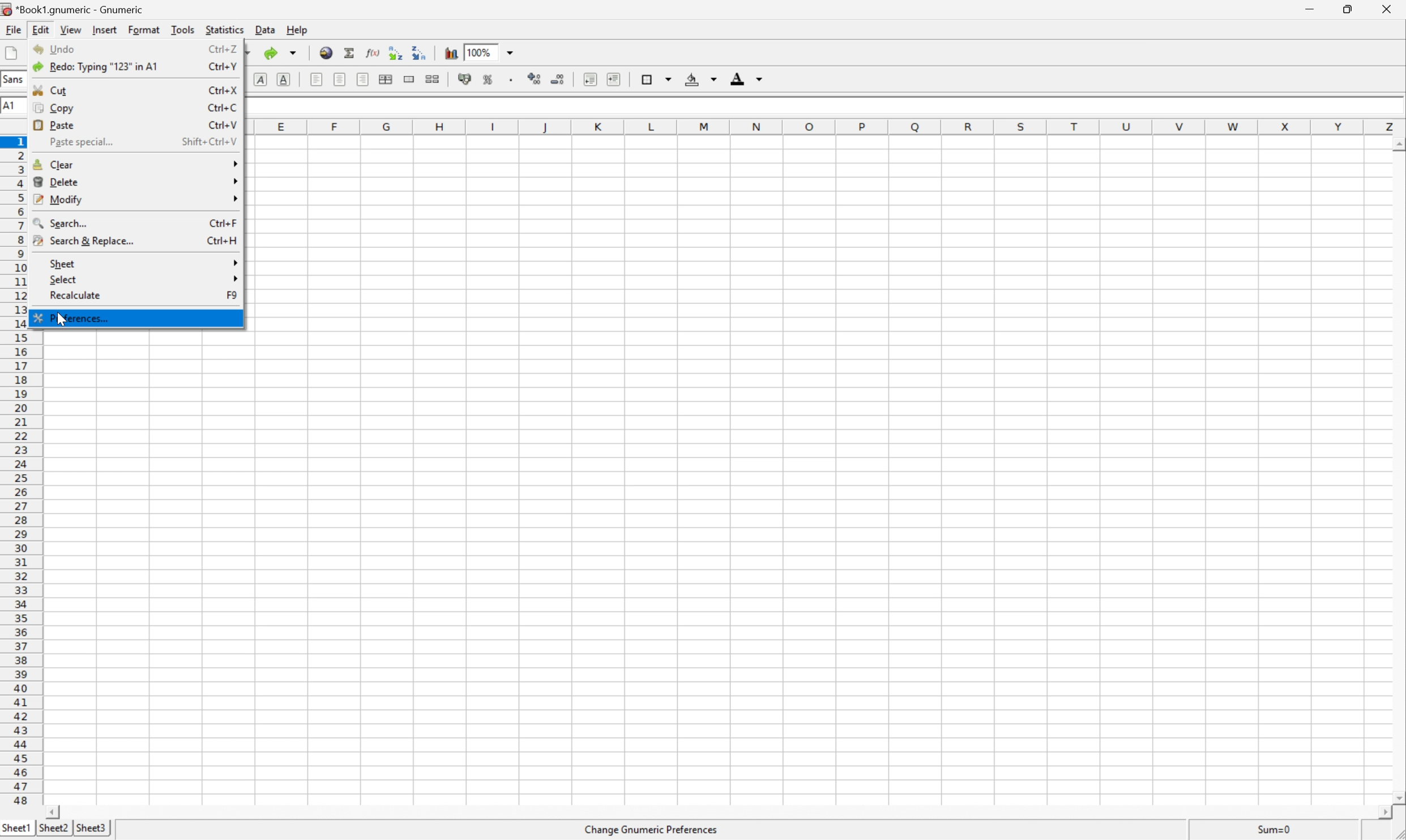  I want to click on insert hyperlink, so click(325, 53).